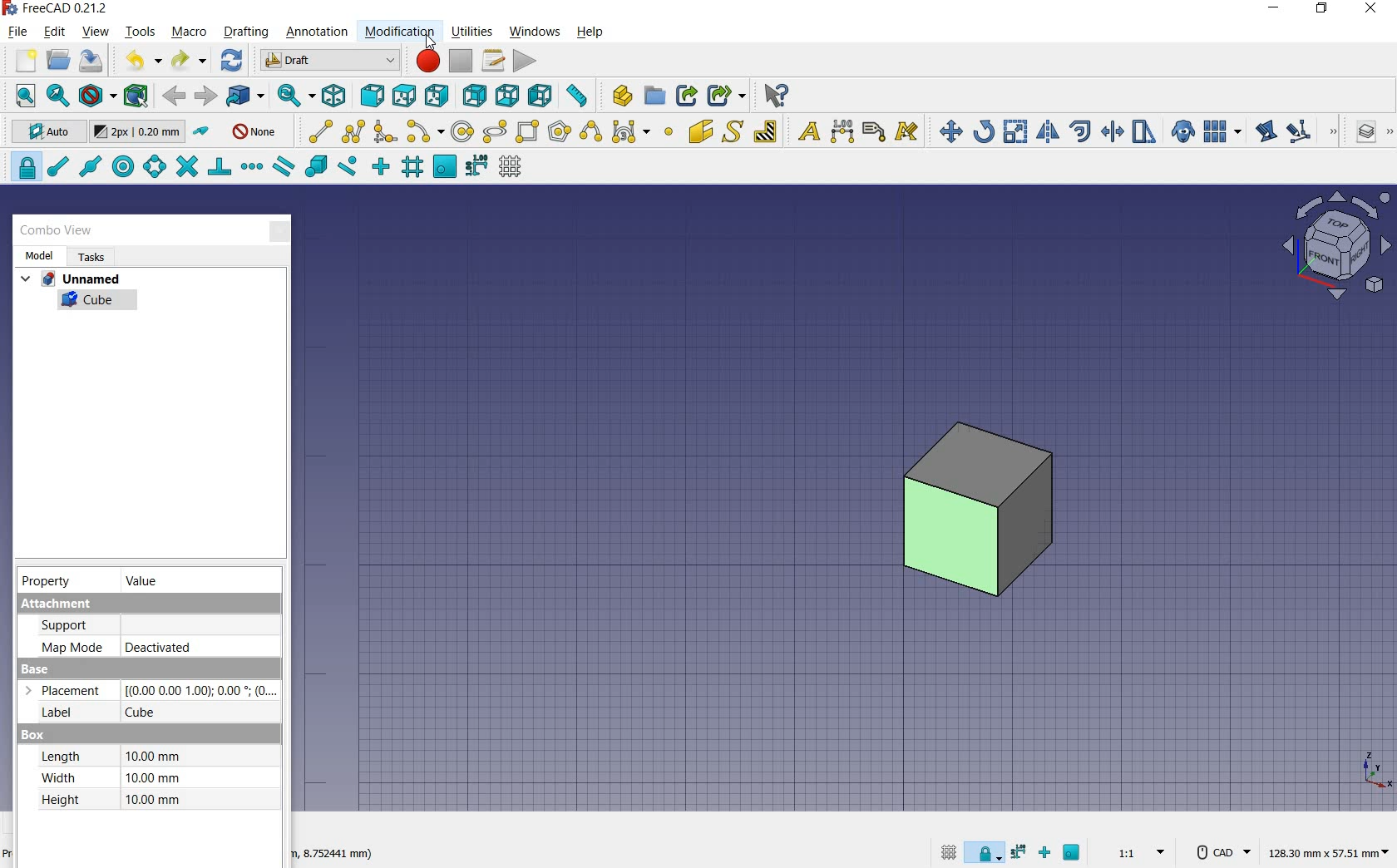 This screenshot has width=1397, height=868. What do you see at coordinates (68, 691) in the screenshot?
I see `Placement` at bounding box center [68, 691].